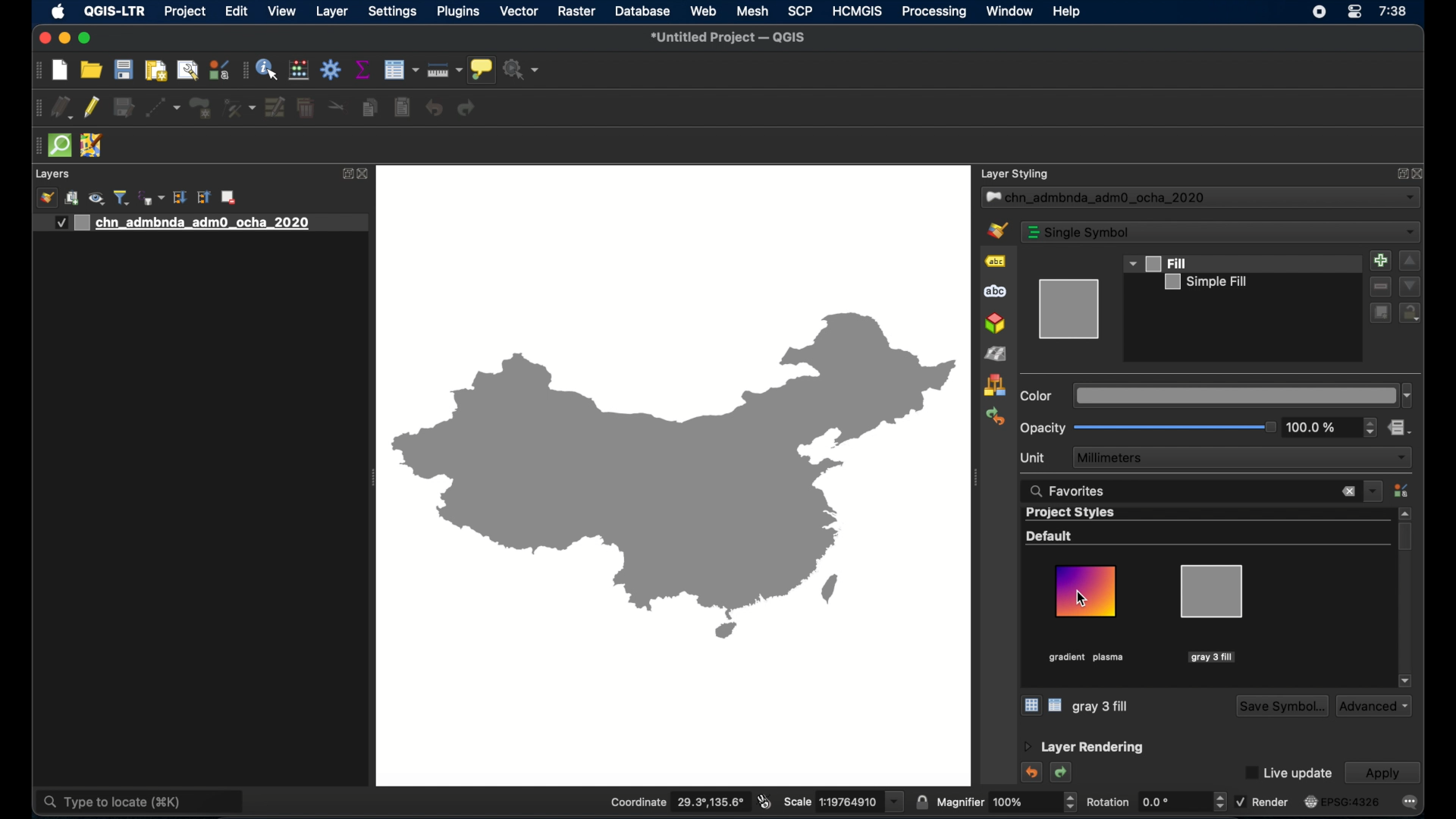 This screenshot has width=1456, height=819. I want to click on style manager, so click(219, 69).